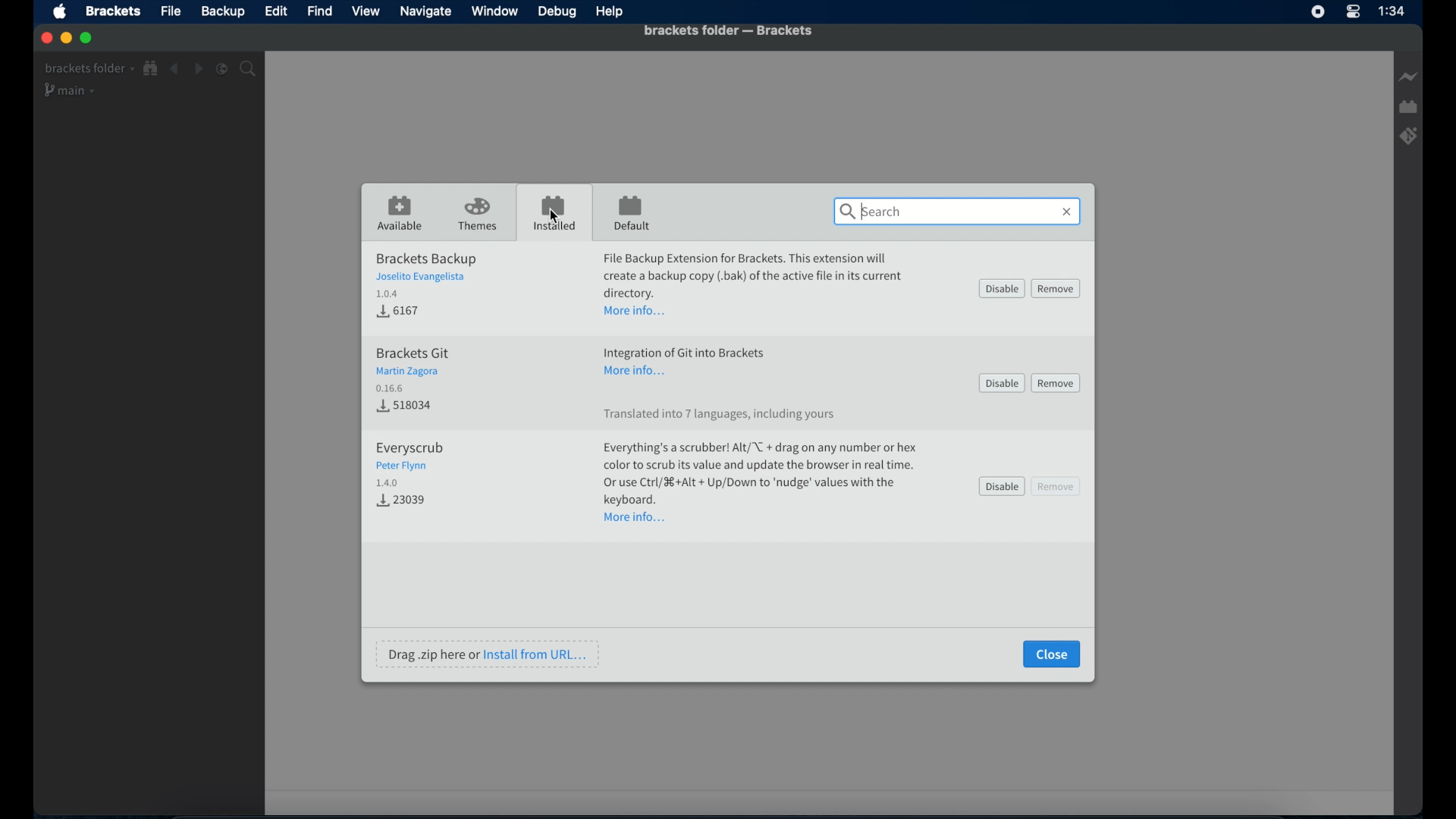 The image size is (1456, 819). Describe the element at coordinates (1052, 654) in the screenshot. I see `close` at that location.